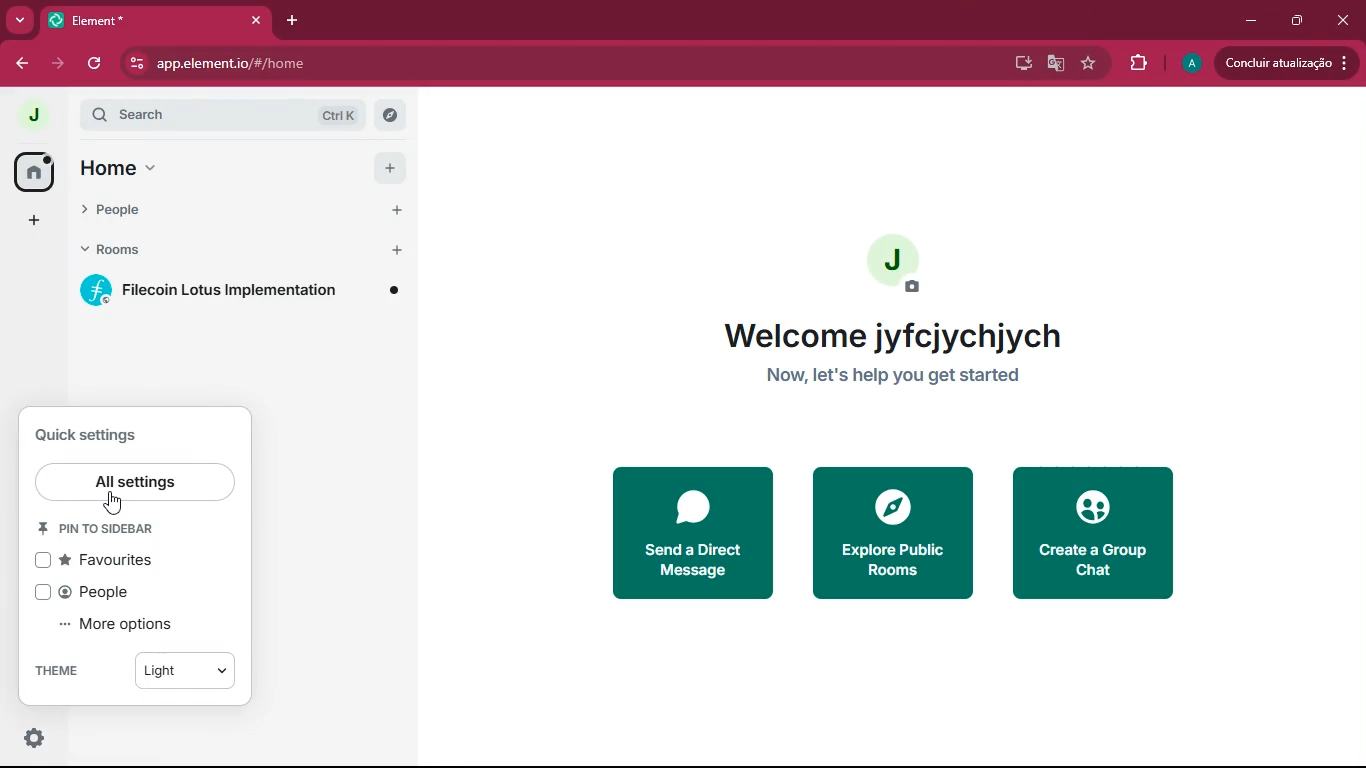 The height and width of the screenshot is (768, 1366). I want to click on minimize, so click(1248, 21).